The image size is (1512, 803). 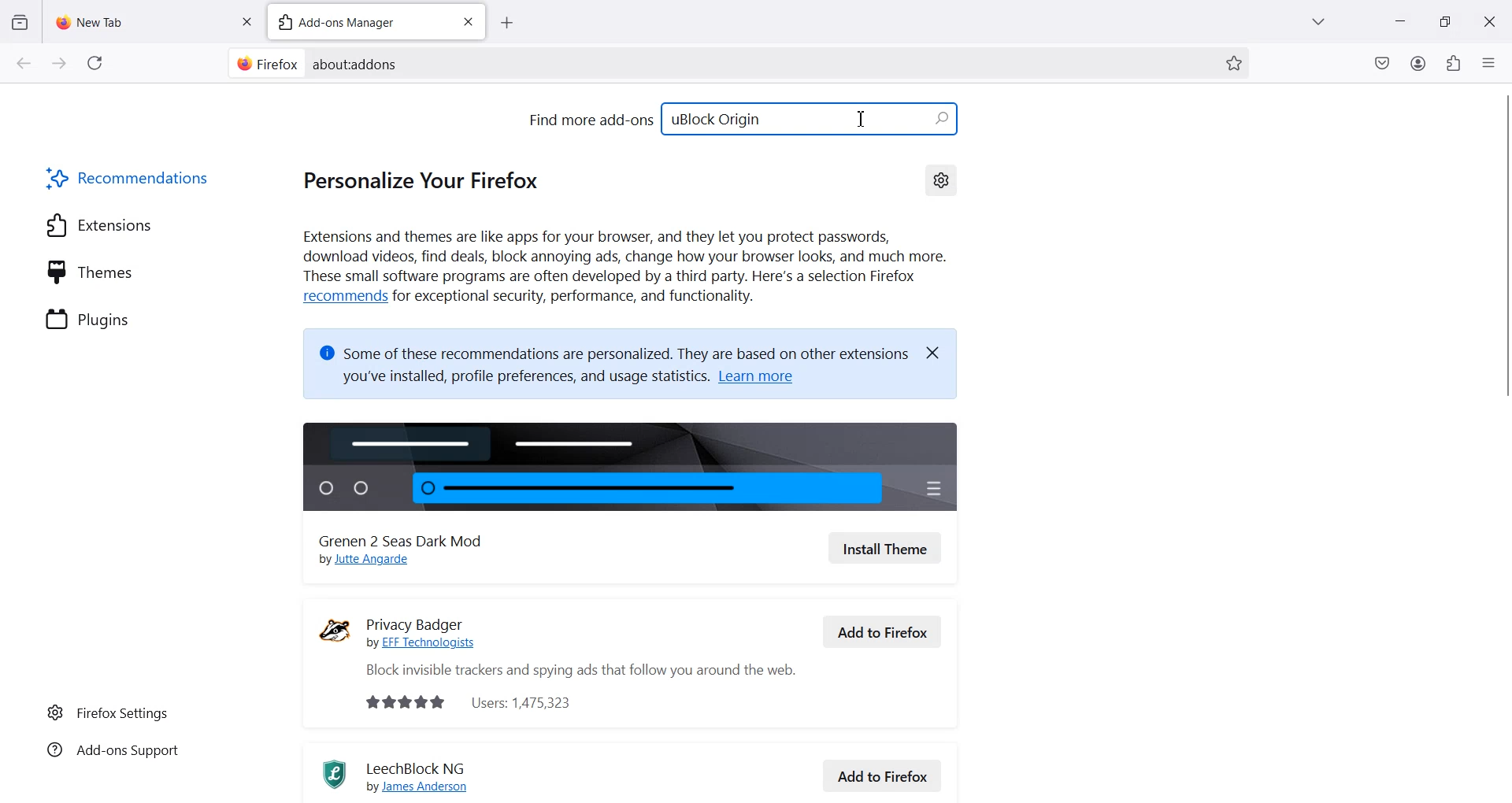 What do you see at coordinates (99, 224) in the screenshot?
I see `Extensions` at bounding box center [99, 224].